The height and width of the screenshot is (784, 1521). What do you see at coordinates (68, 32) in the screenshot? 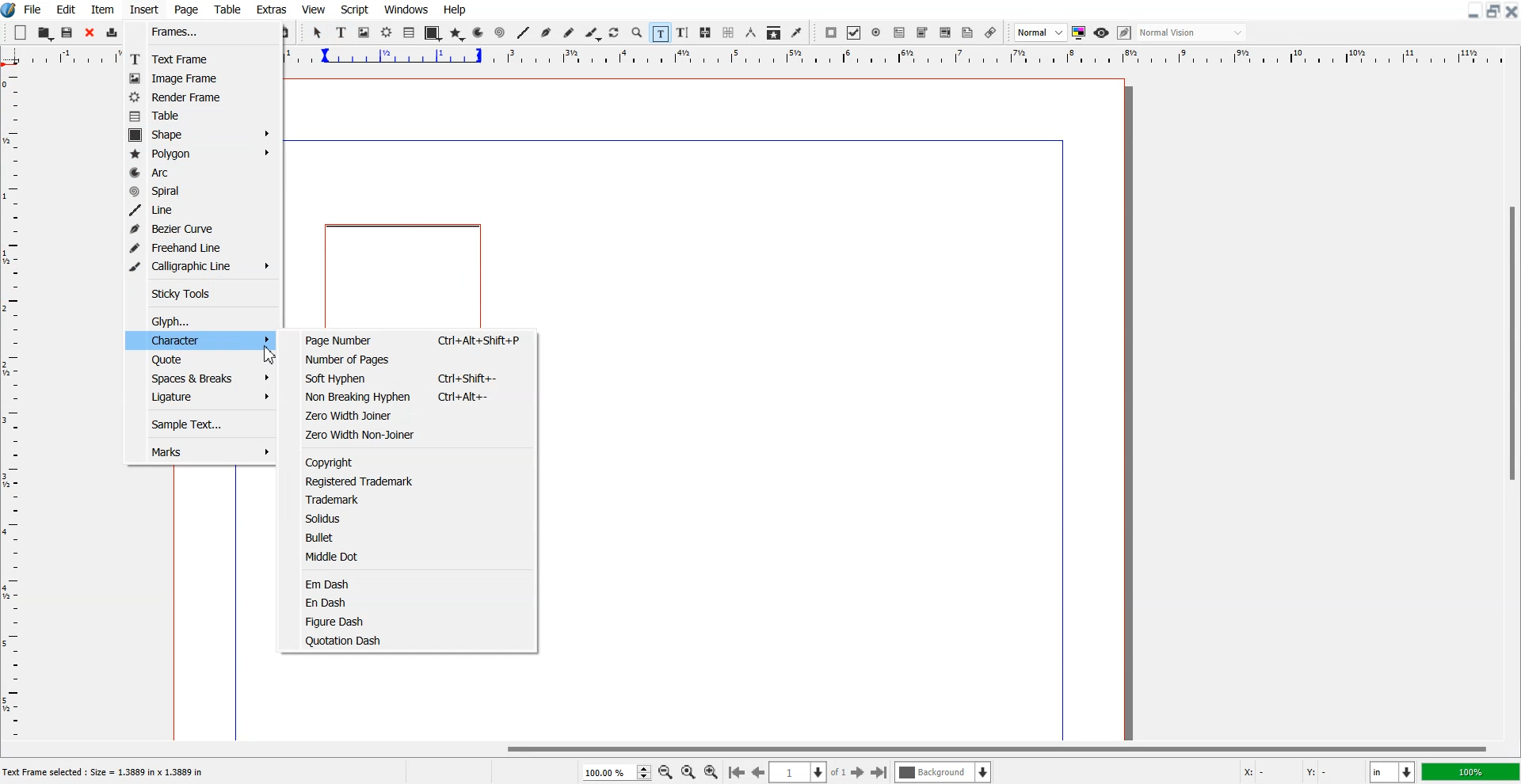
I see `Save` at bounding box center [68, 32].